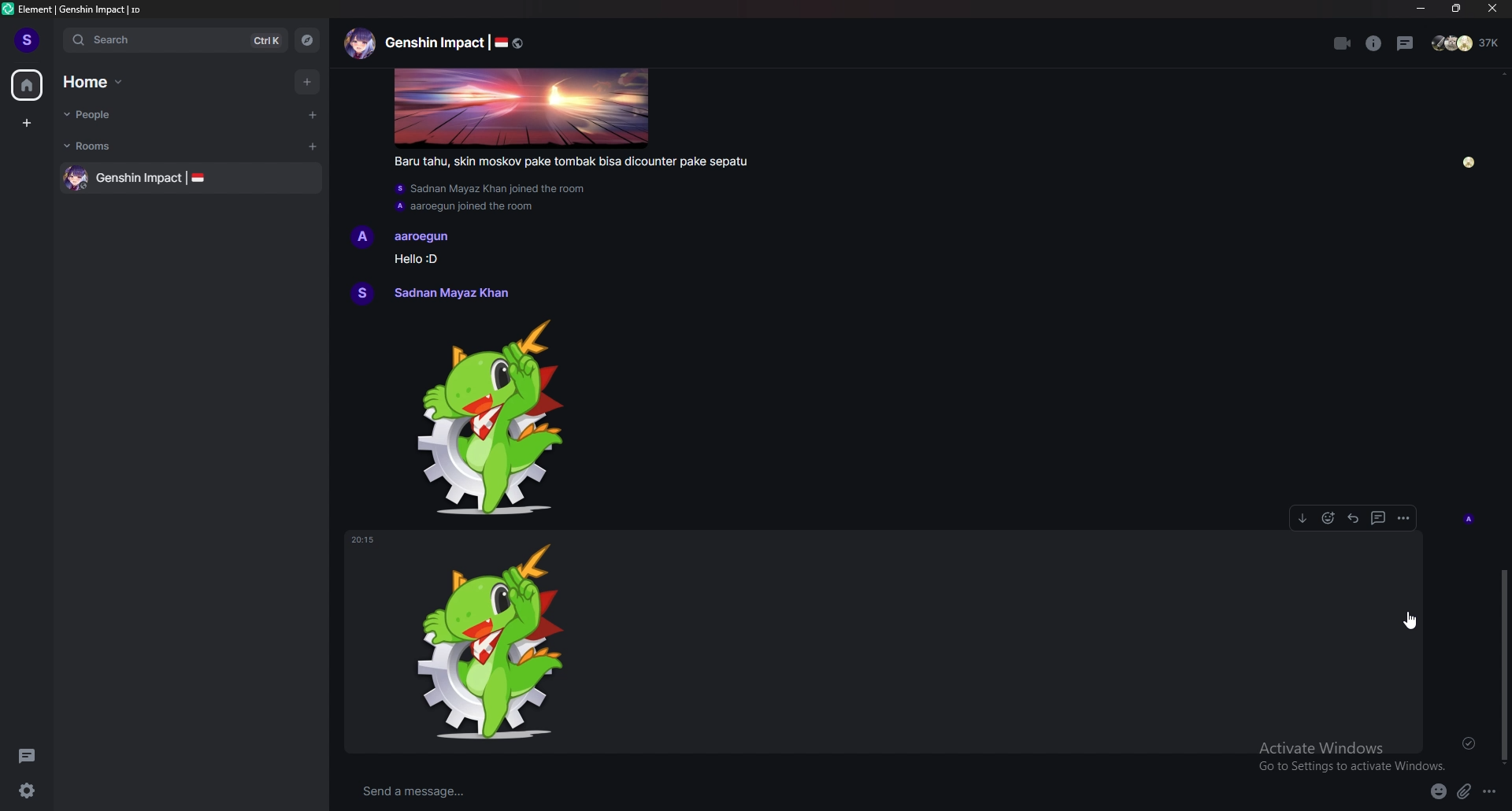 The image size is (1512, 811). I want to click on Activate Windows
Go to Settings to activate Windows., so click(1352, 757).